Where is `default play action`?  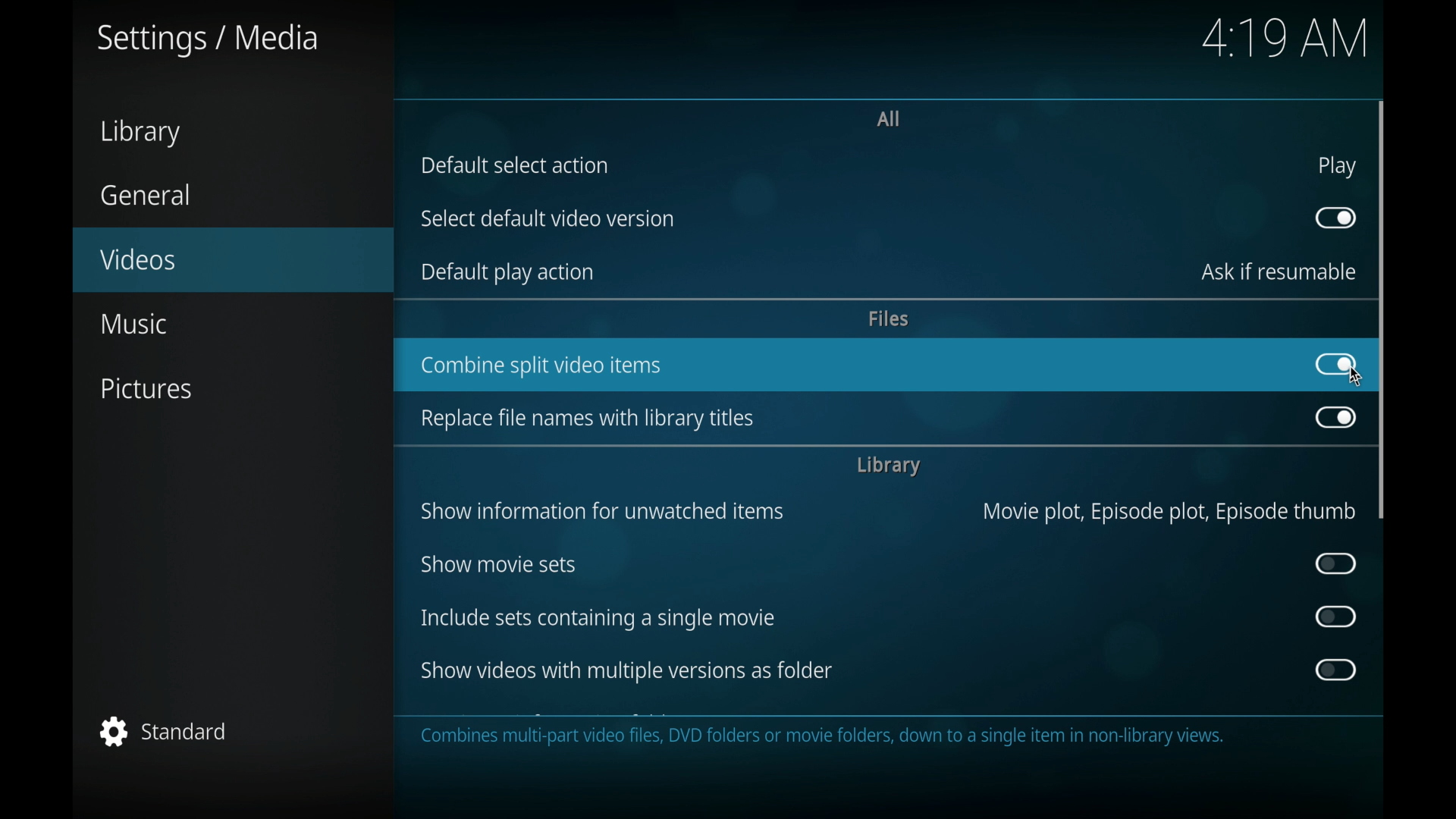
default play action is located at coordinates (508, 273).